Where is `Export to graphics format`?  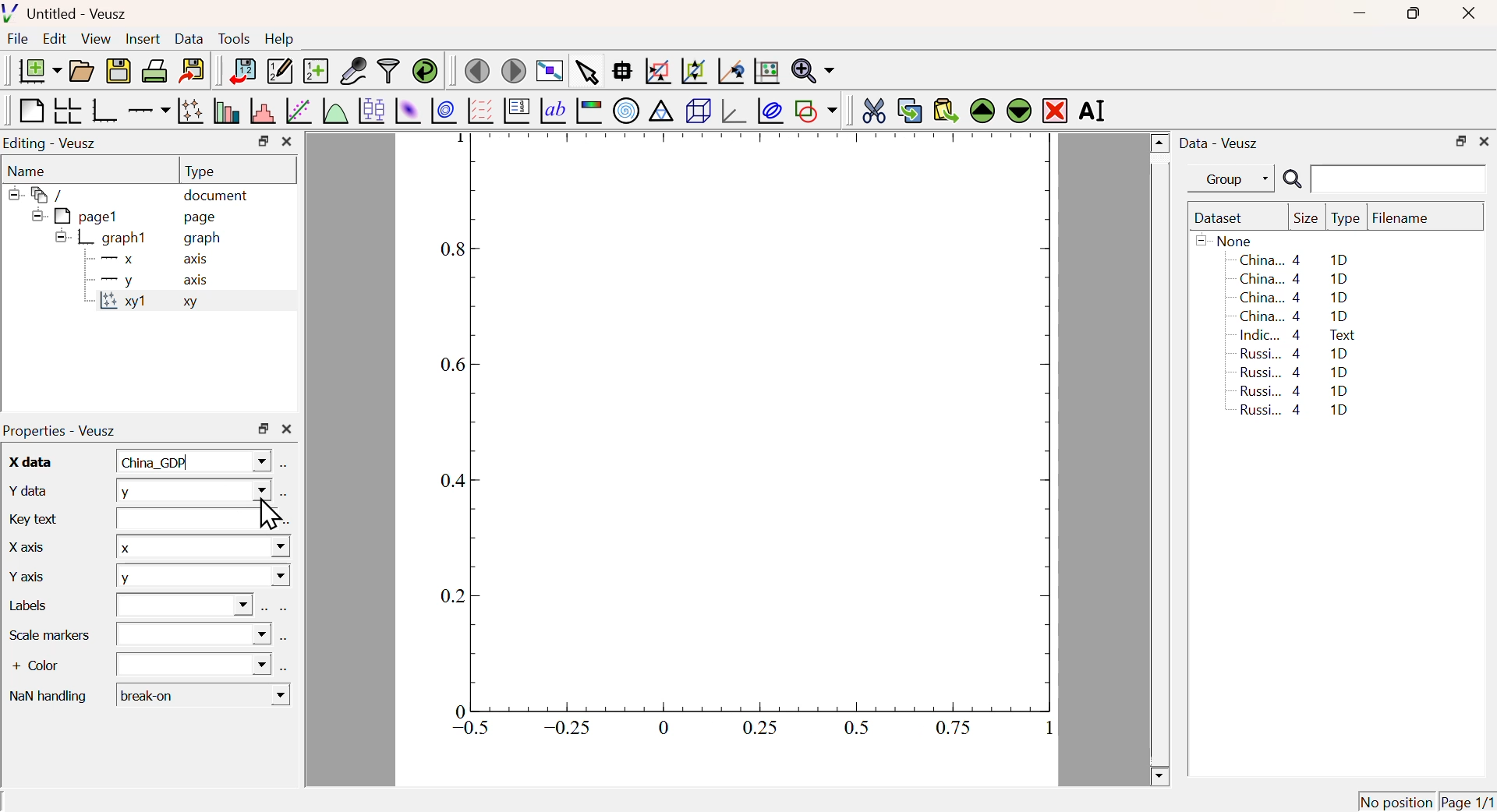 Export to graphics format is located at coordinates (193, 69).